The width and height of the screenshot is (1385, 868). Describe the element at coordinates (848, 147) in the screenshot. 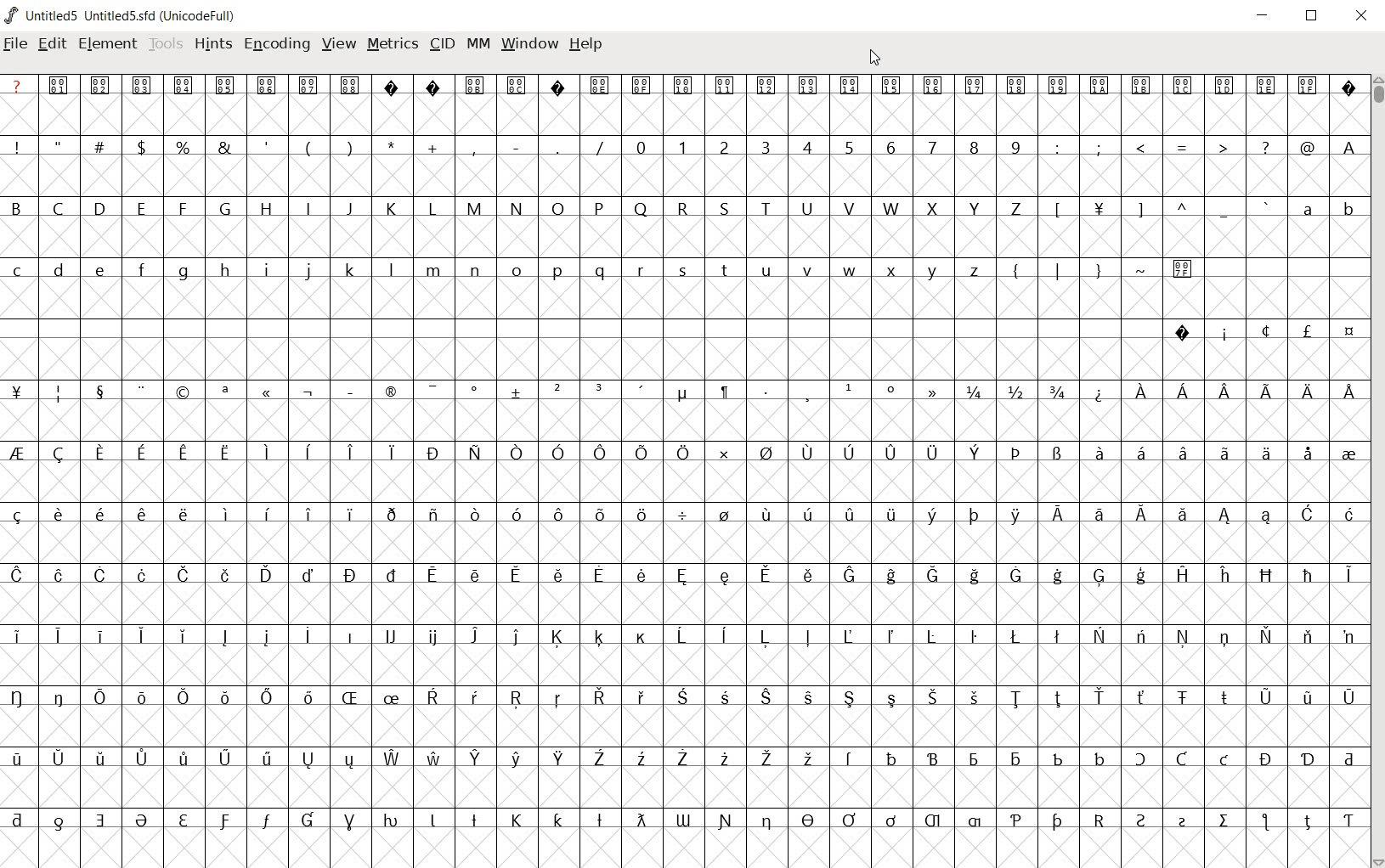

I see `5` at that location.